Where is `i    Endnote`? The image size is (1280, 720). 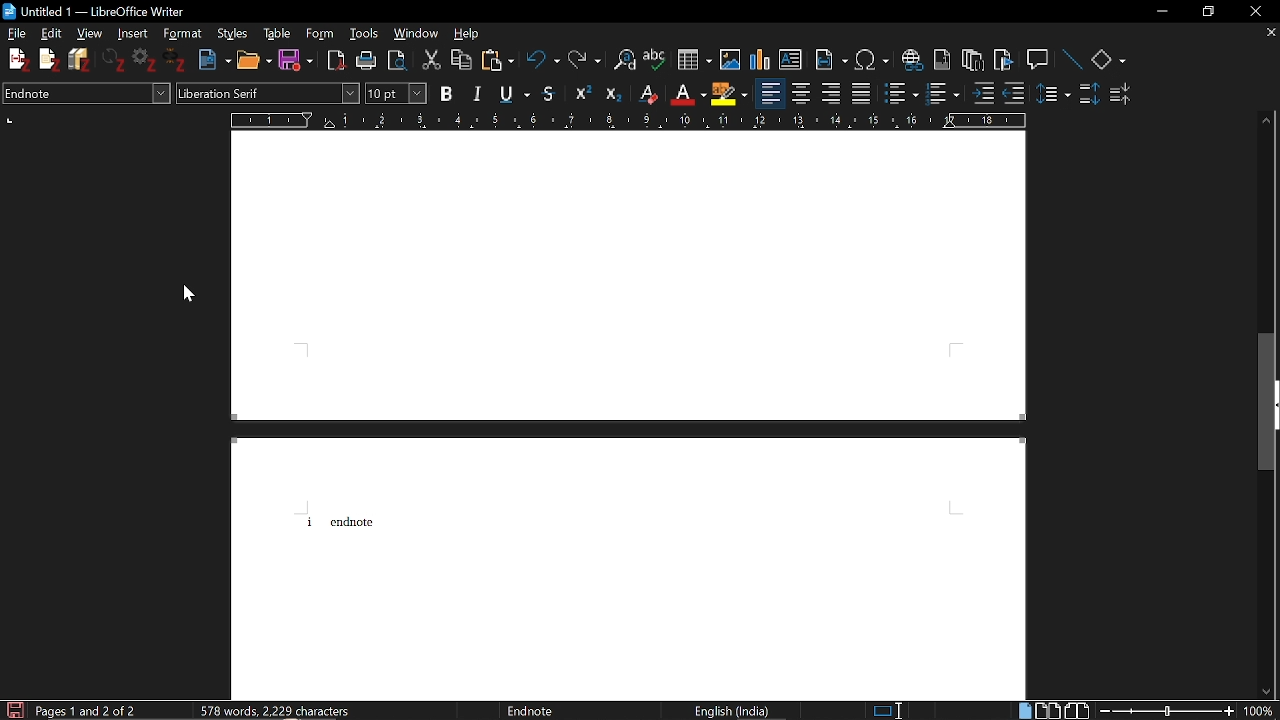 i    Endnote is located at coordinates (338, 526).